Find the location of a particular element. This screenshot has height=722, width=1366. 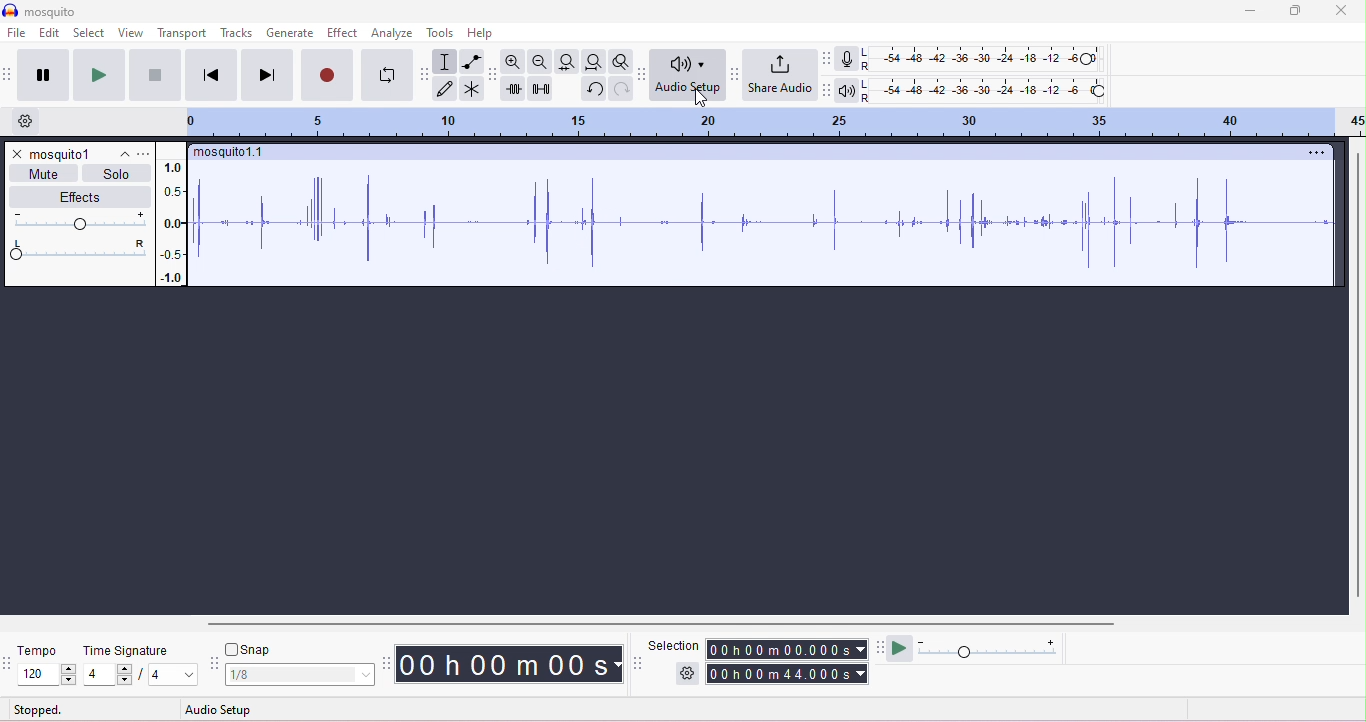

title is located at coordinates (39, 10).